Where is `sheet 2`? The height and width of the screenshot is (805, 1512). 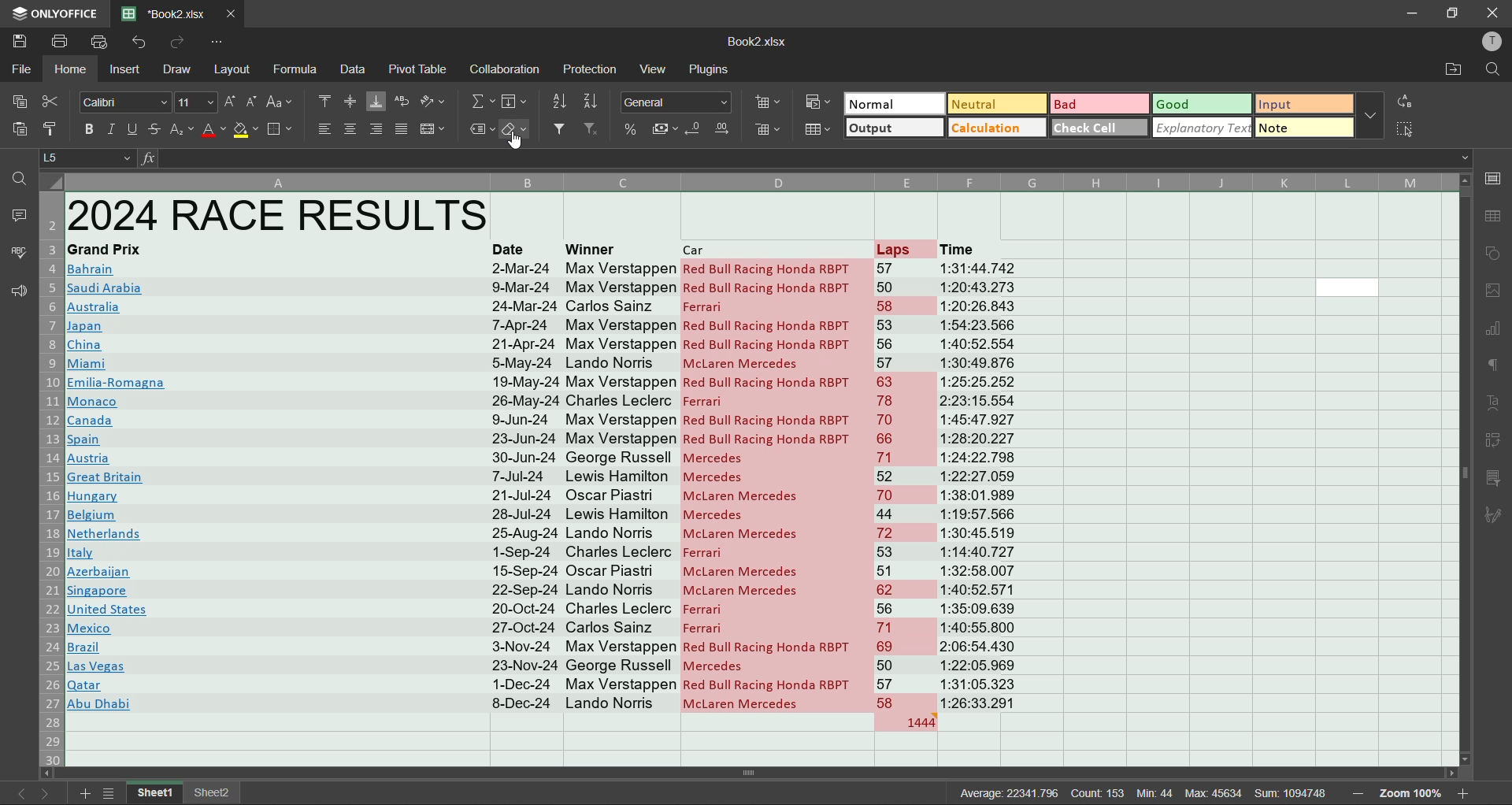
sheet 2 is located at coordinates (215, 792).